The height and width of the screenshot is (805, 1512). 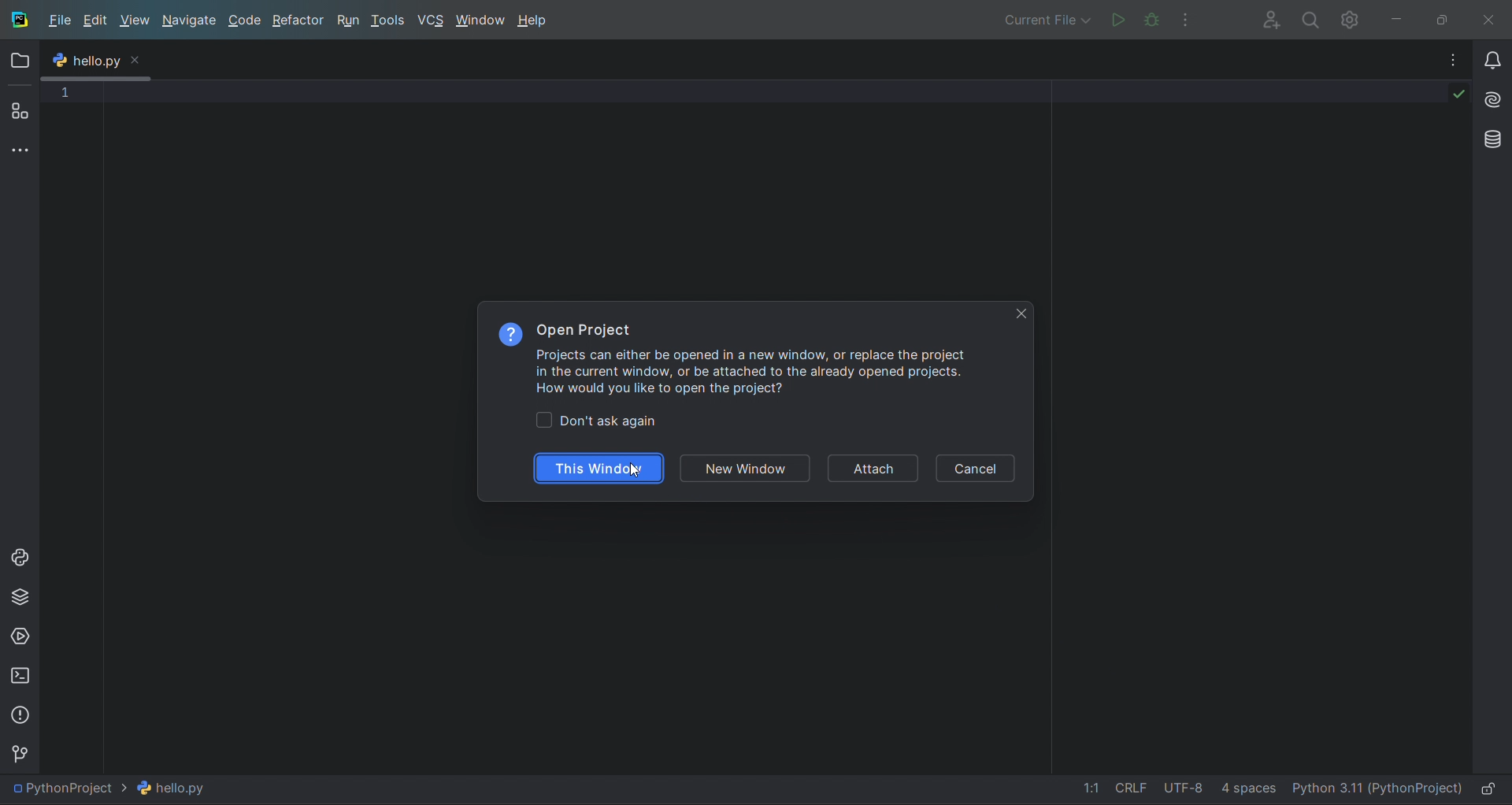 I want to click on vcs, so click(x=432, y=20).